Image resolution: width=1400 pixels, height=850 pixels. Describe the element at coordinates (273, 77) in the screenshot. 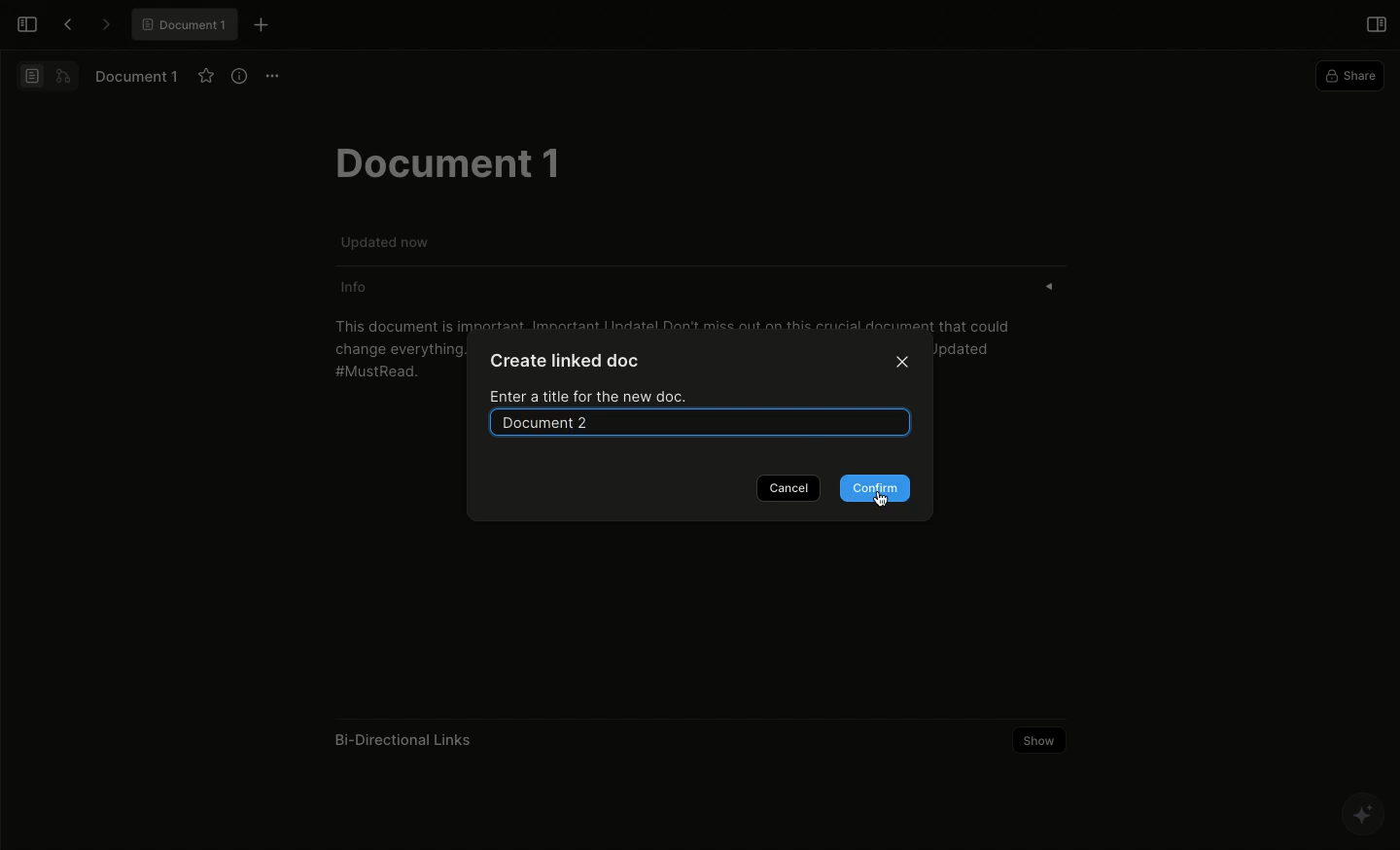

I see `Options` at that location.